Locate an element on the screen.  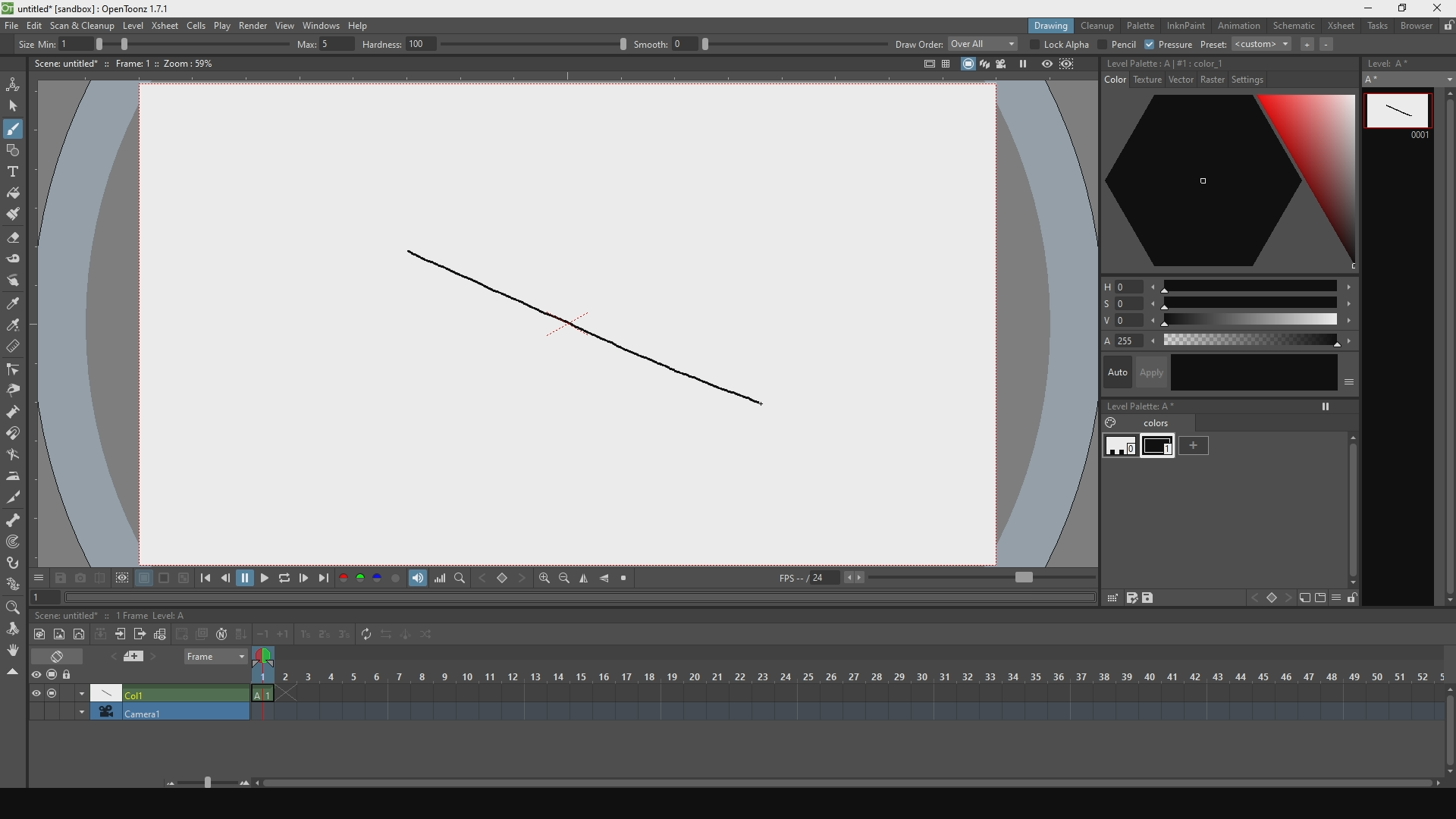
colors is located at coordinates (1152, 424).